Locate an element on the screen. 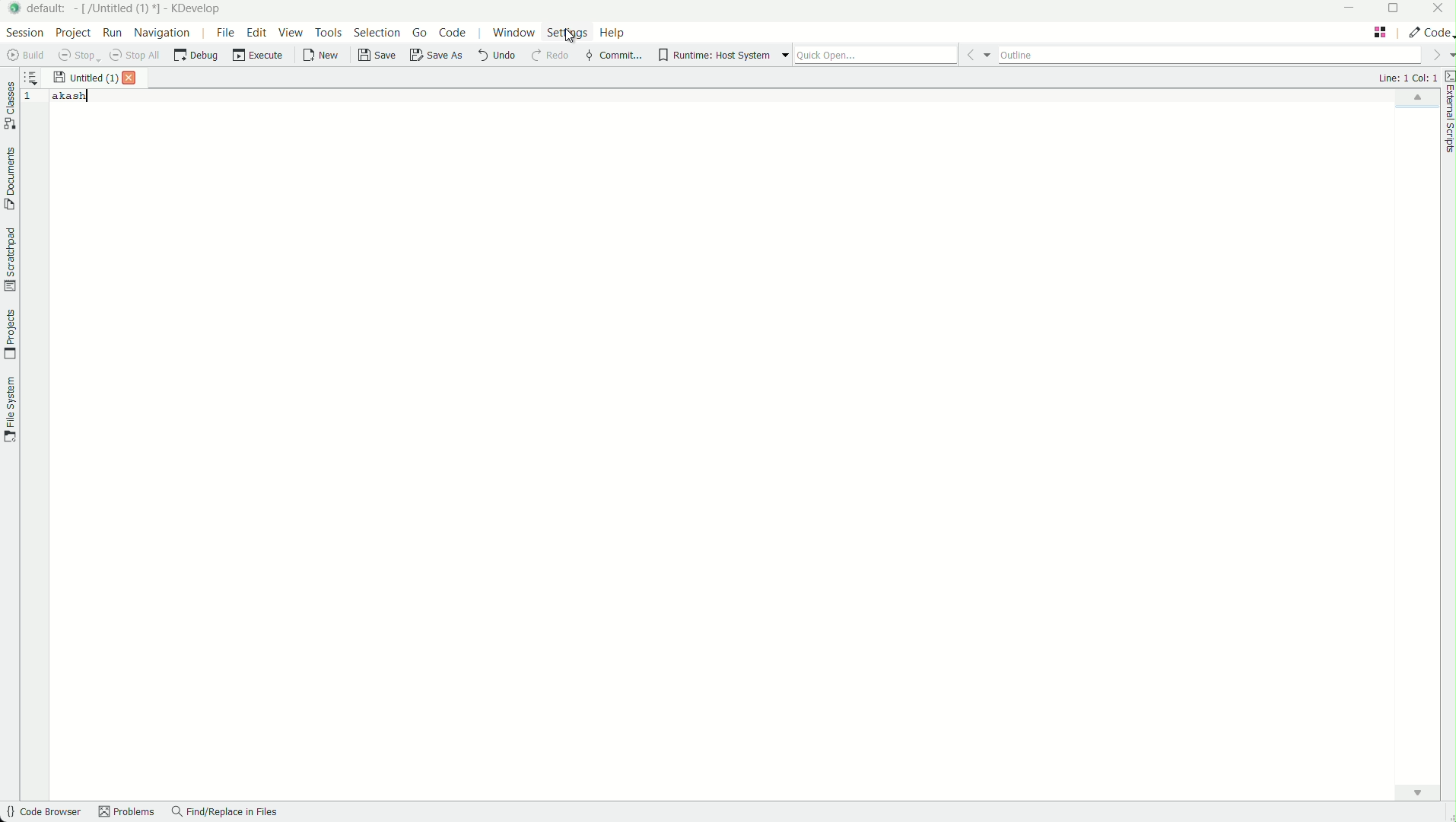  maximize or restore is located at coordinates (1397, 10).